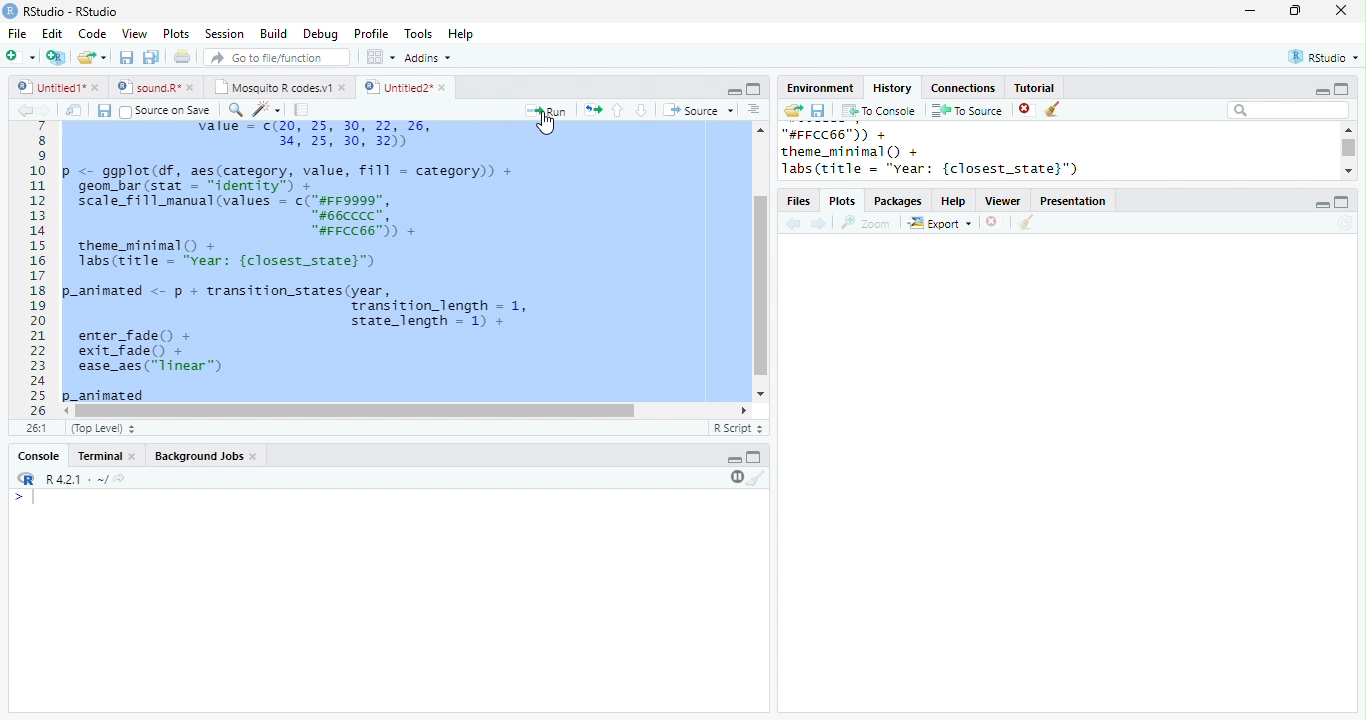 The width and height of the screenshot is (1366, 720). Describe the element at coordinates (1347, 171) in the screenshot. I see `scroll down` at that location.